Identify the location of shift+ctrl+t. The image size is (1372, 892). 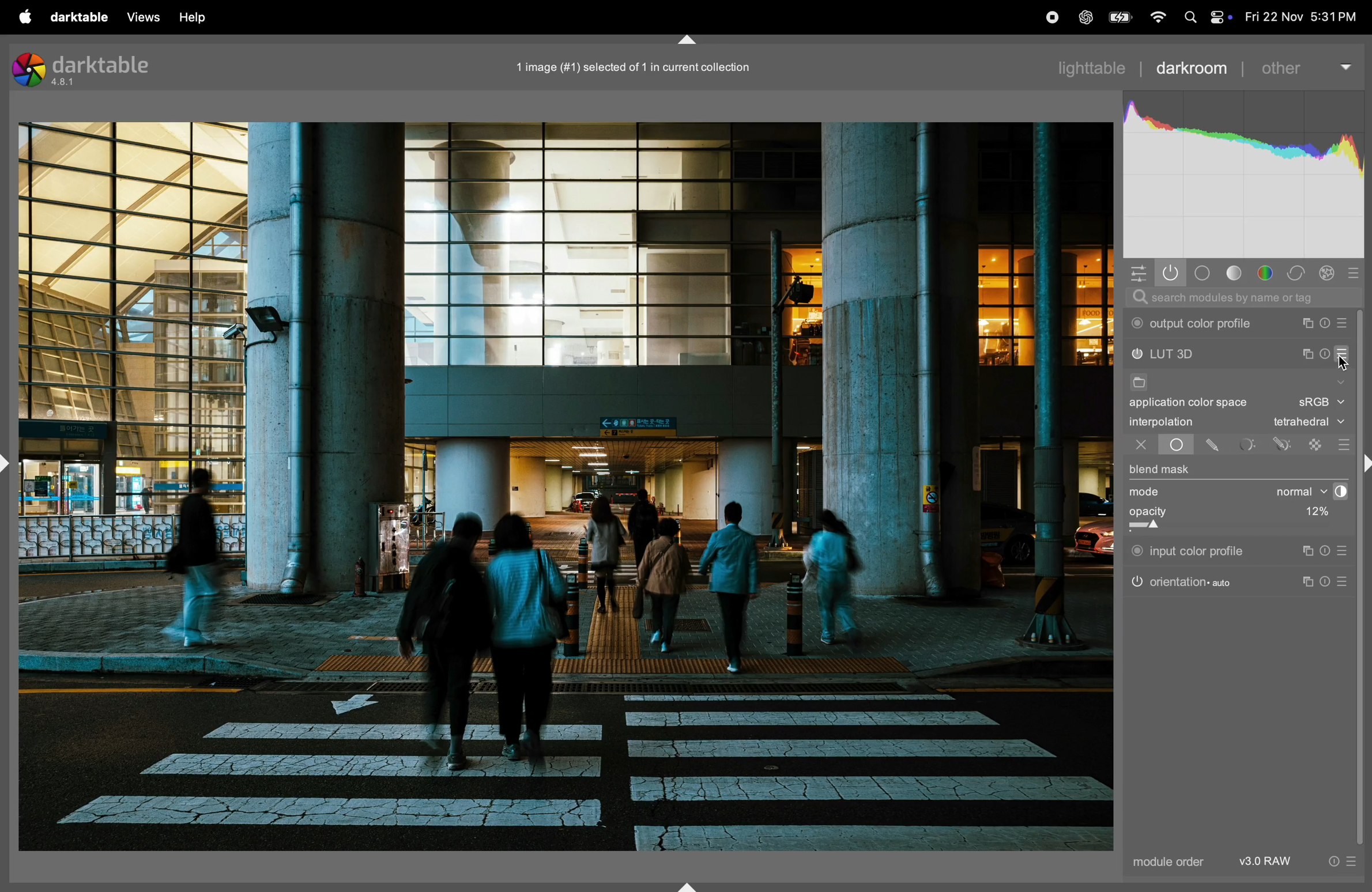
(685, 40).